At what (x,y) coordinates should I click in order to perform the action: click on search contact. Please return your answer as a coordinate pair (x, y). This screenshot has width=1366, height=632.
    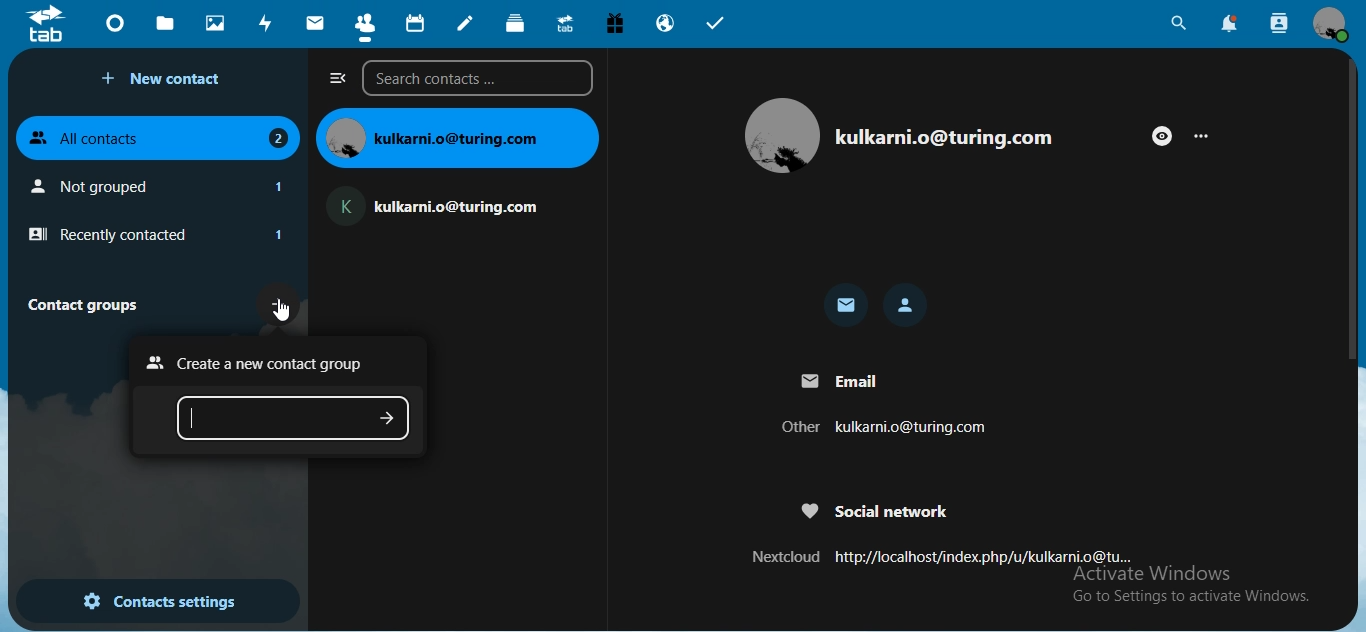
    Looking at the image, I should click on (482, 78).